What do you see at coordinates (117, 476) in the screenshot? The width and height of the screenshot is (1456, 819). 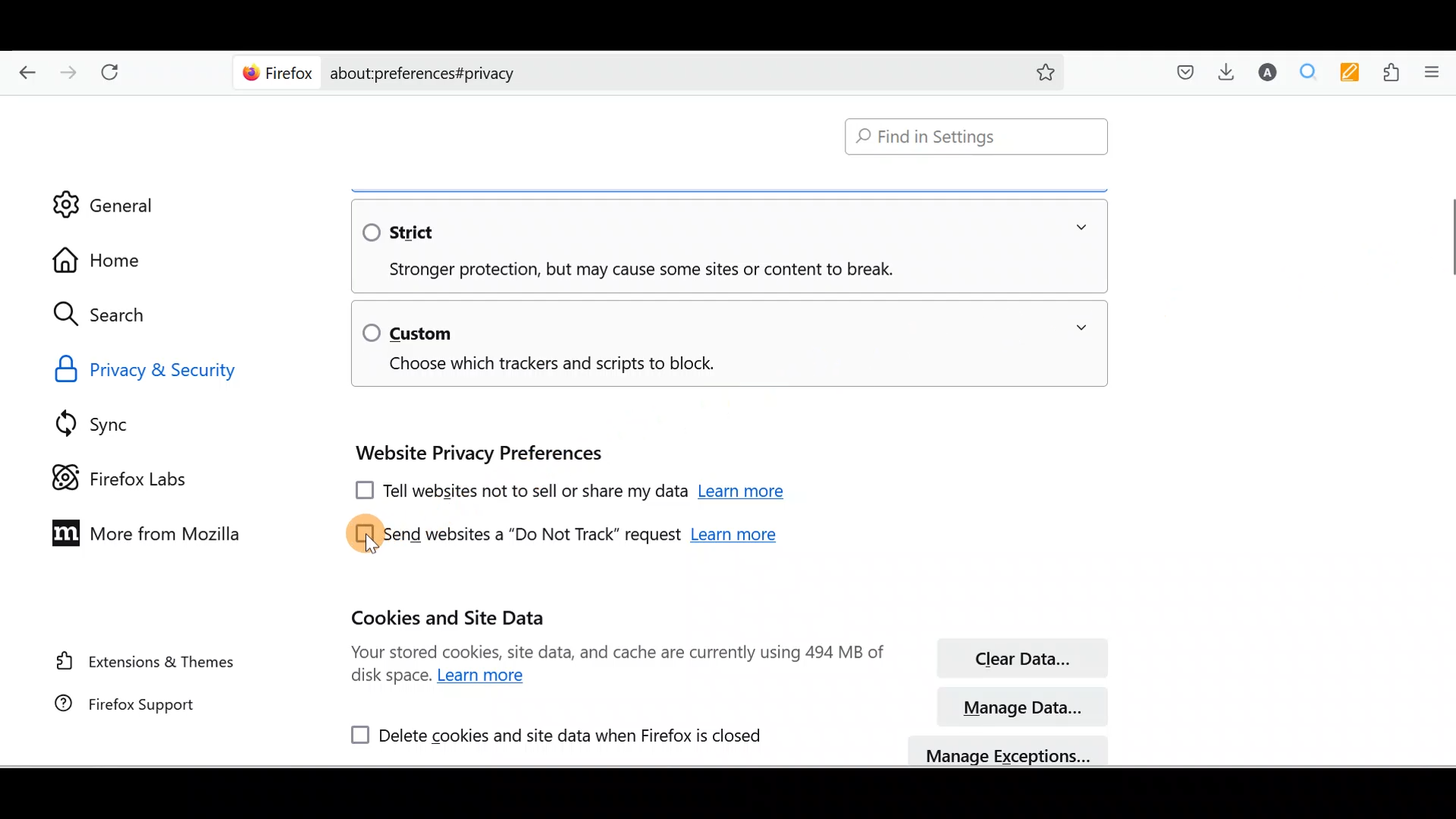 I see `Firefox labs` at bounding box center [117, 476].